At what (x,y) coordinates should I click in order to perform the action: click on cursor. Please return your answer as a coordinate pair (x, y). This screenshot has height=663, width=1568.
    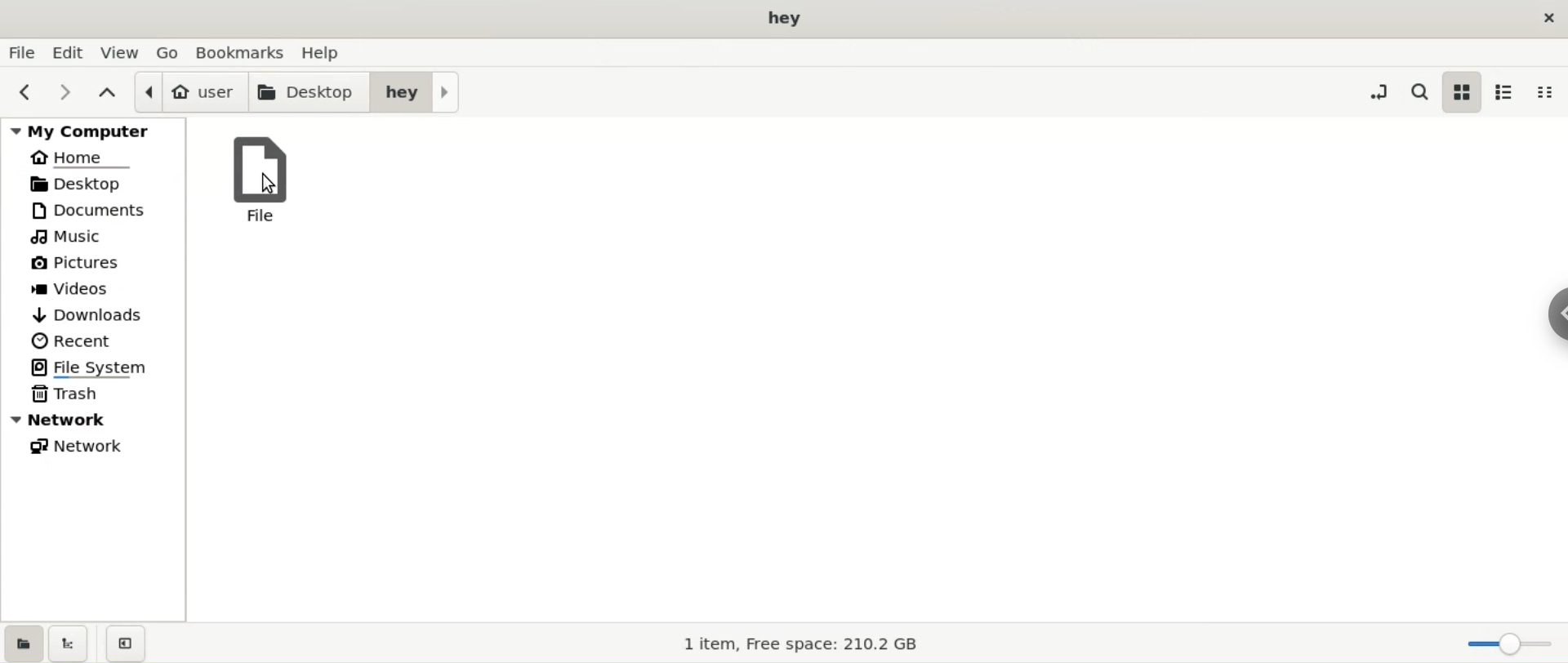
    Looking at the image, I should click on (269, 183).